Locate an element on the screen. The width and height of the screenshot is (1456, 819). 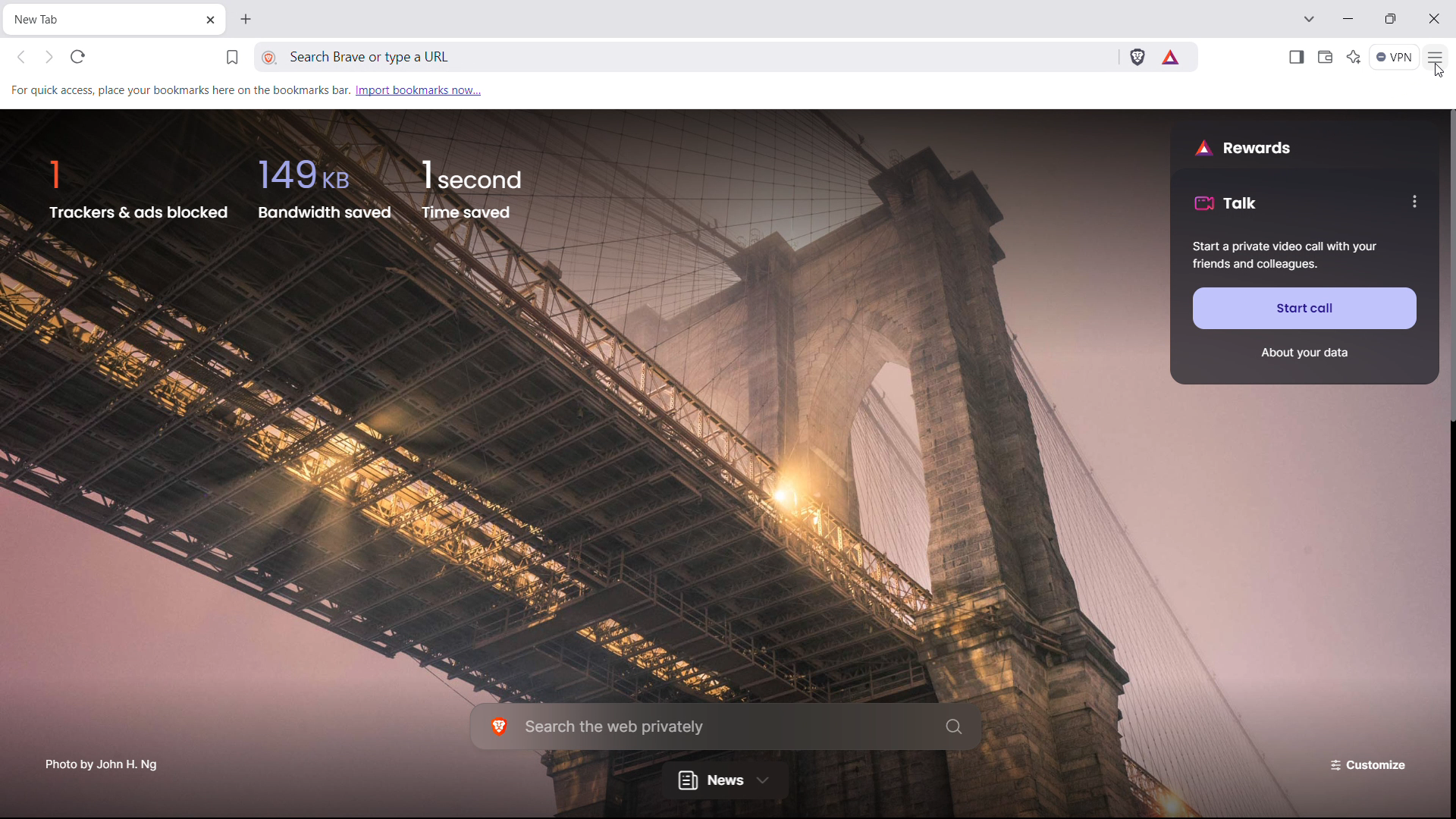
1 trackers and ads blocked is located at coordinates (138, 186).